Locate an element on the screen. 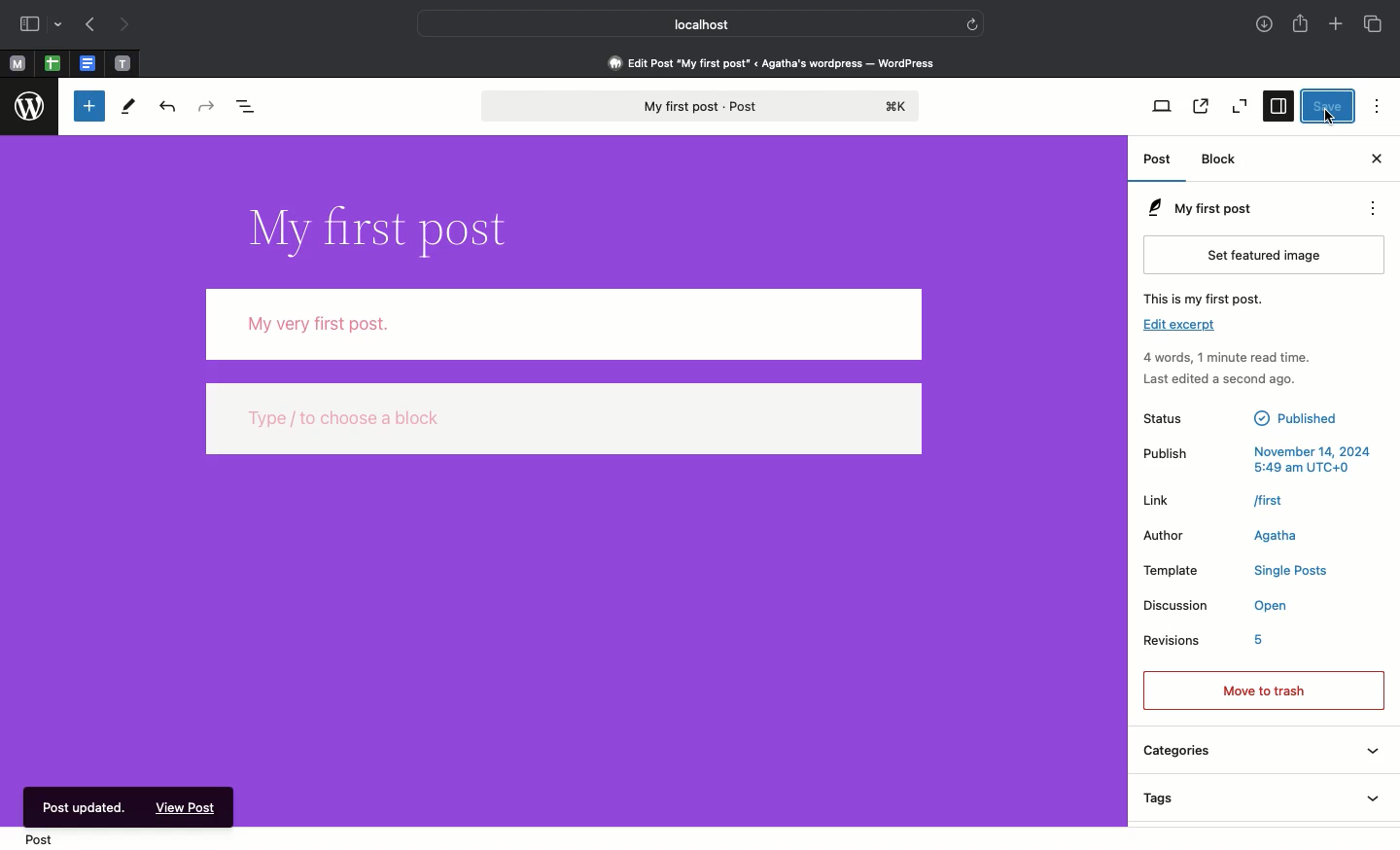  Sidebar is located at coordinates (42, 25).